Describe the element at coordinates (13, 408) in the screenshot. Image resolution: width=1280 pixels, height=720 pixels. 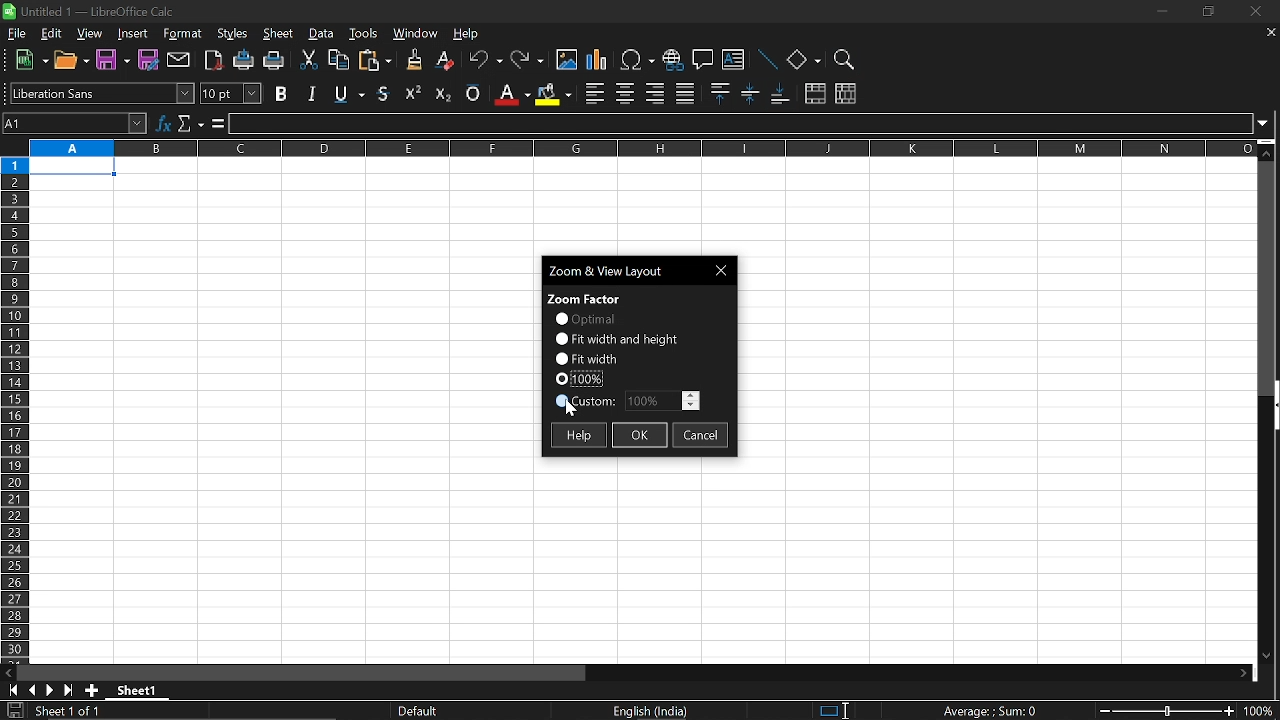
I see `rows` at that location.